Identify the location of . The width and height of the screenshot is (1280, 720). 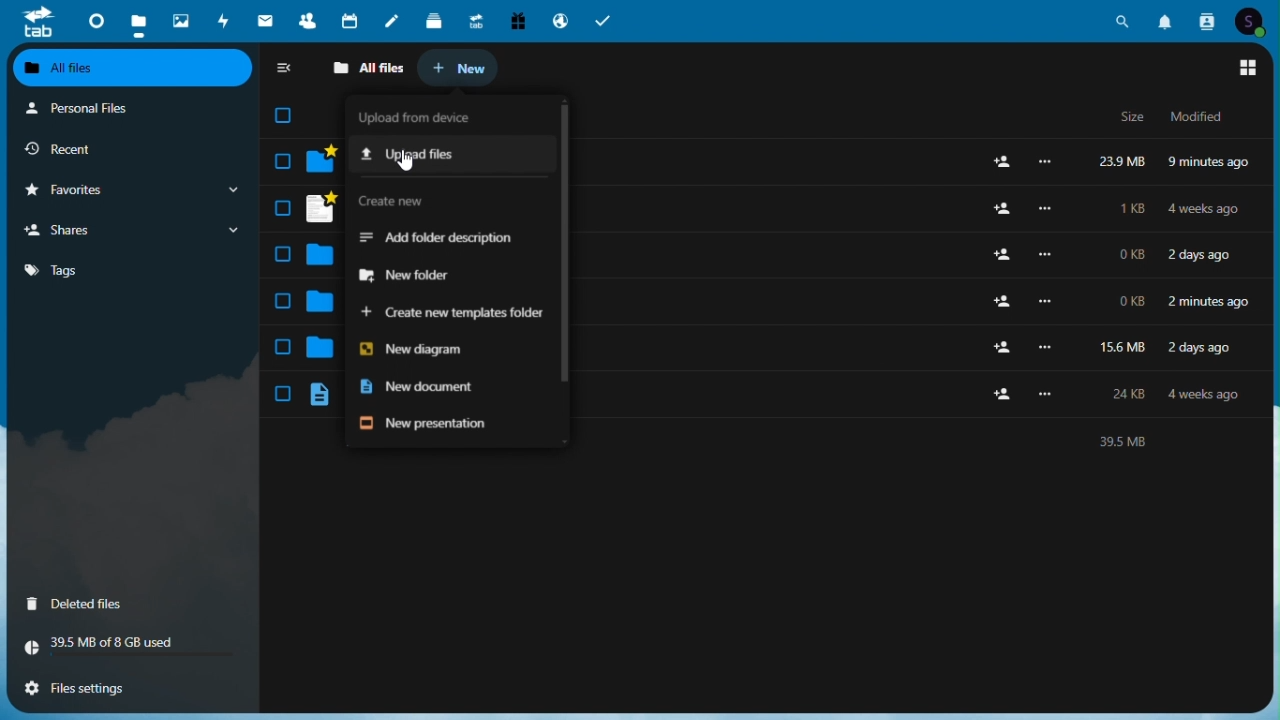
(1249, 72).